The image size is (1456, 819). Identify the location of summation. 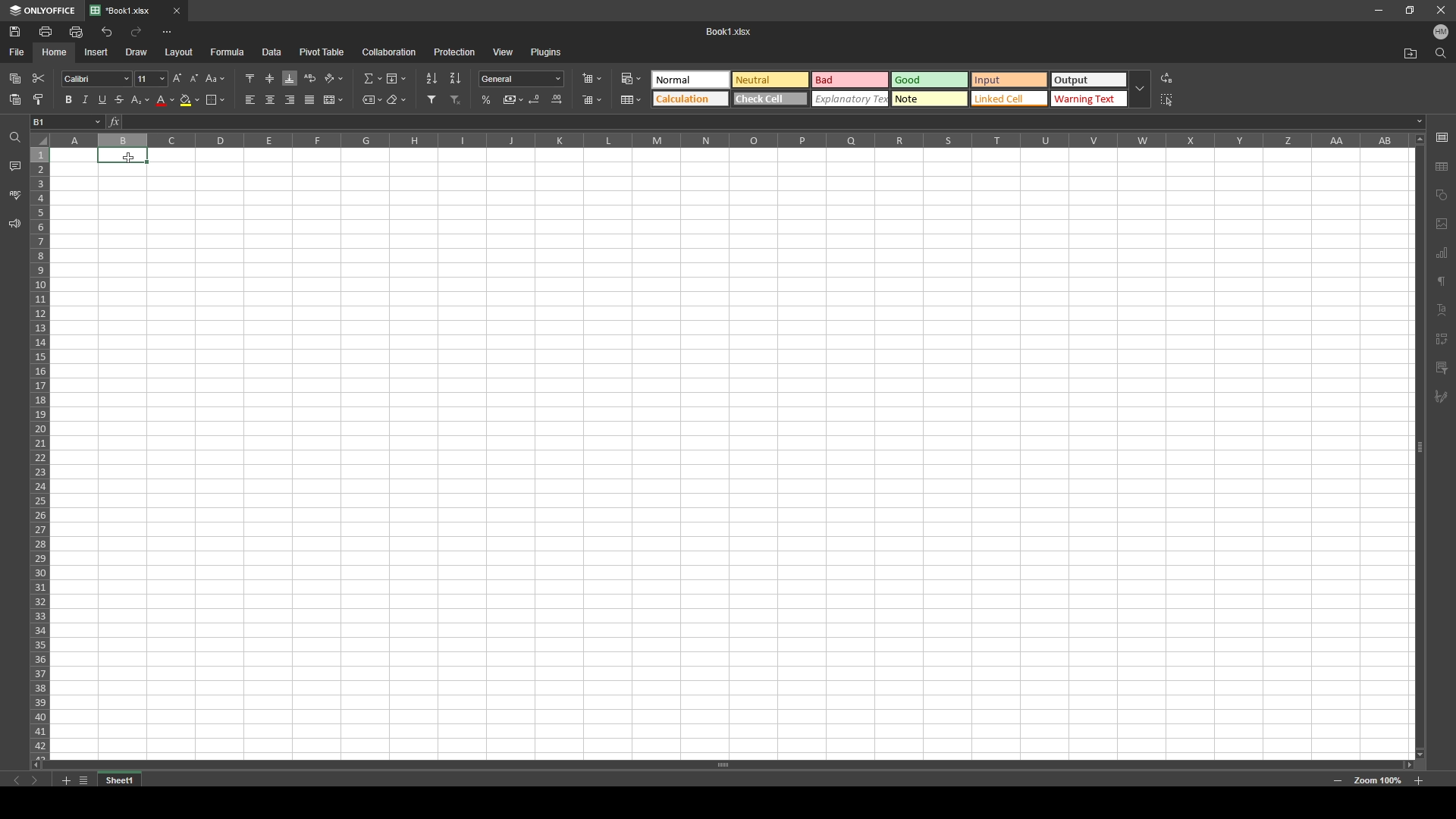
(373, 78).